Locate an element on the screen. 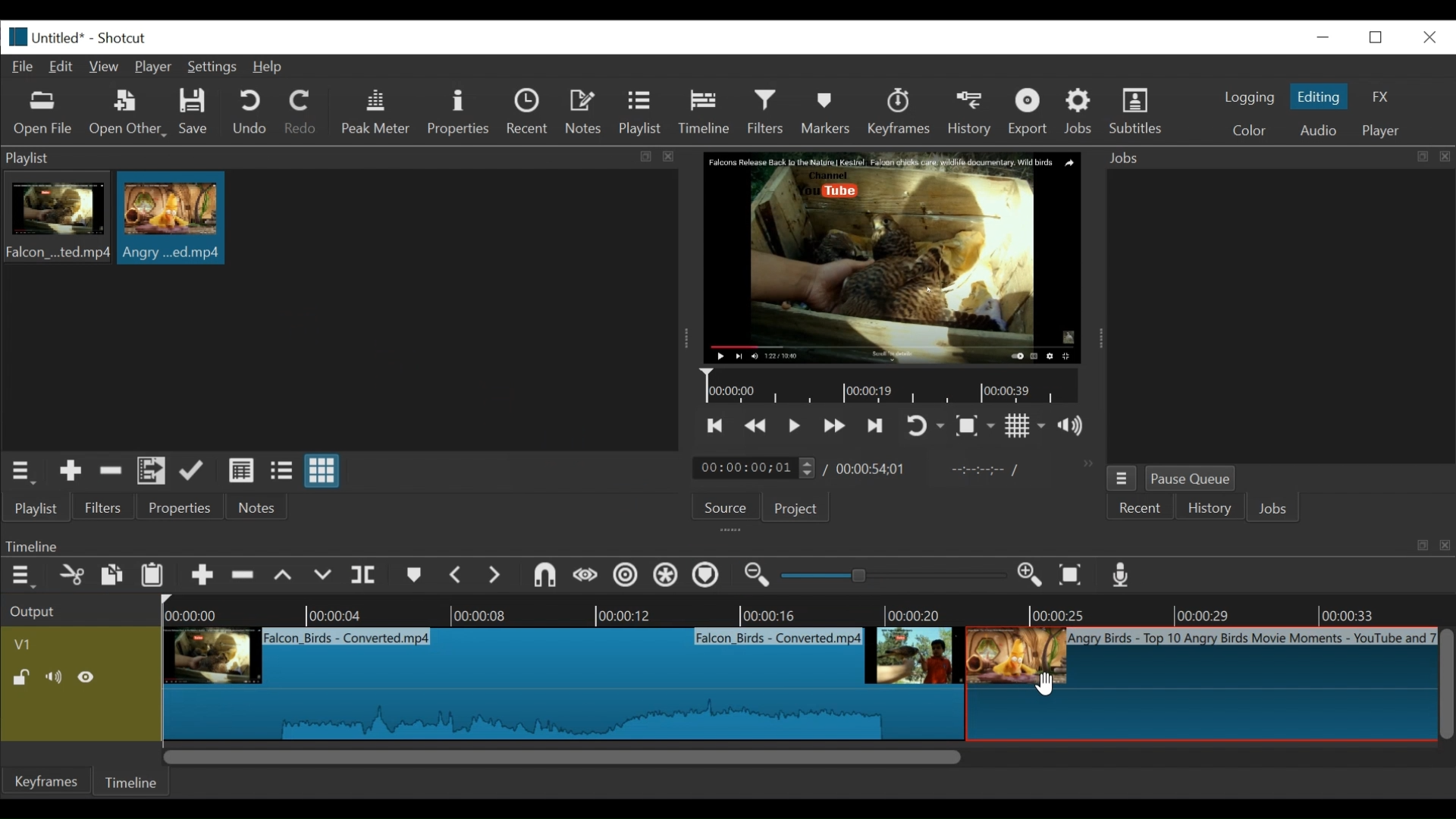 This screenshot has height=819, width=1456. Timeline Panel is located at coordinates (726, 545).